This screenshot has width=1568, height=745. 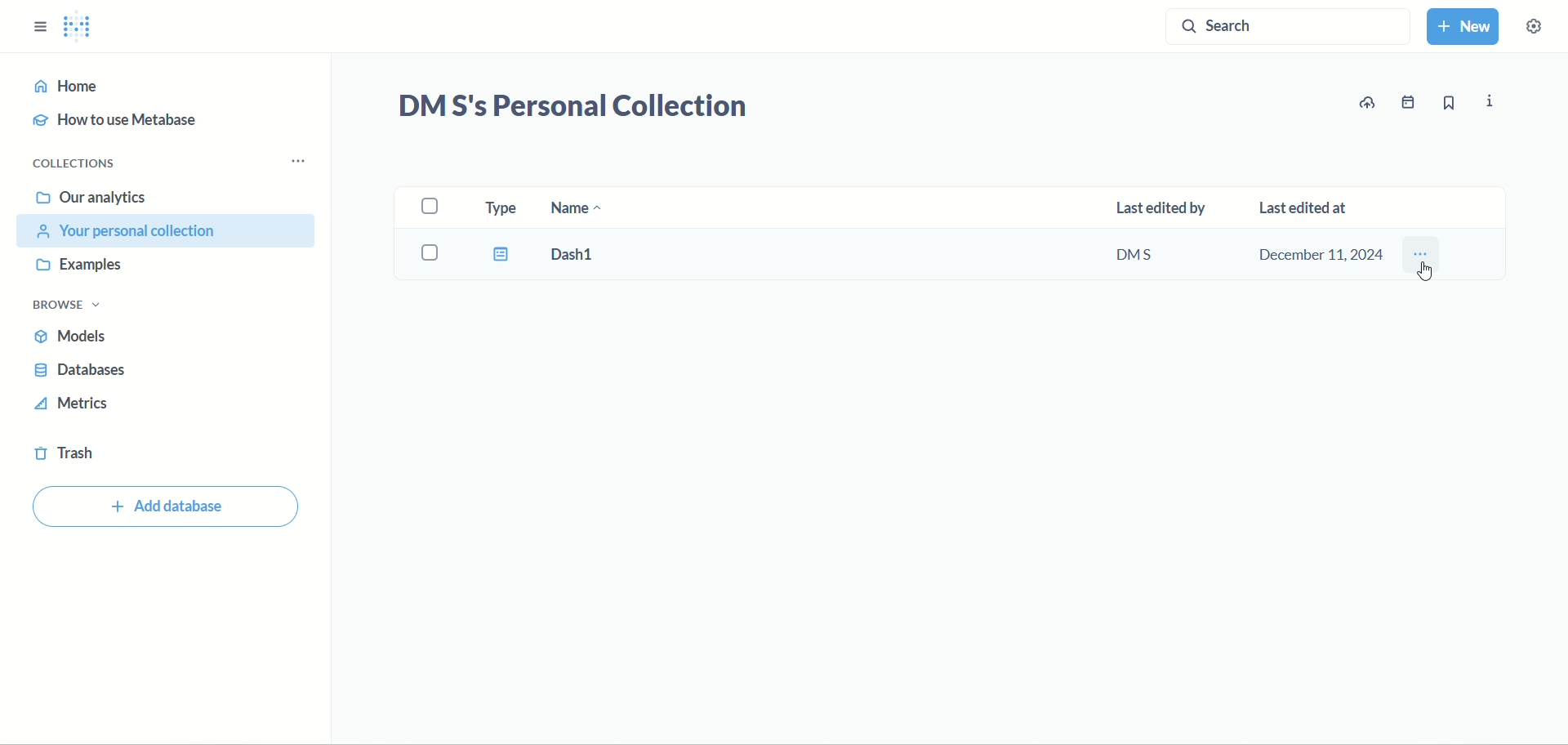 I want to click on databases, so click(x=82, y=372).